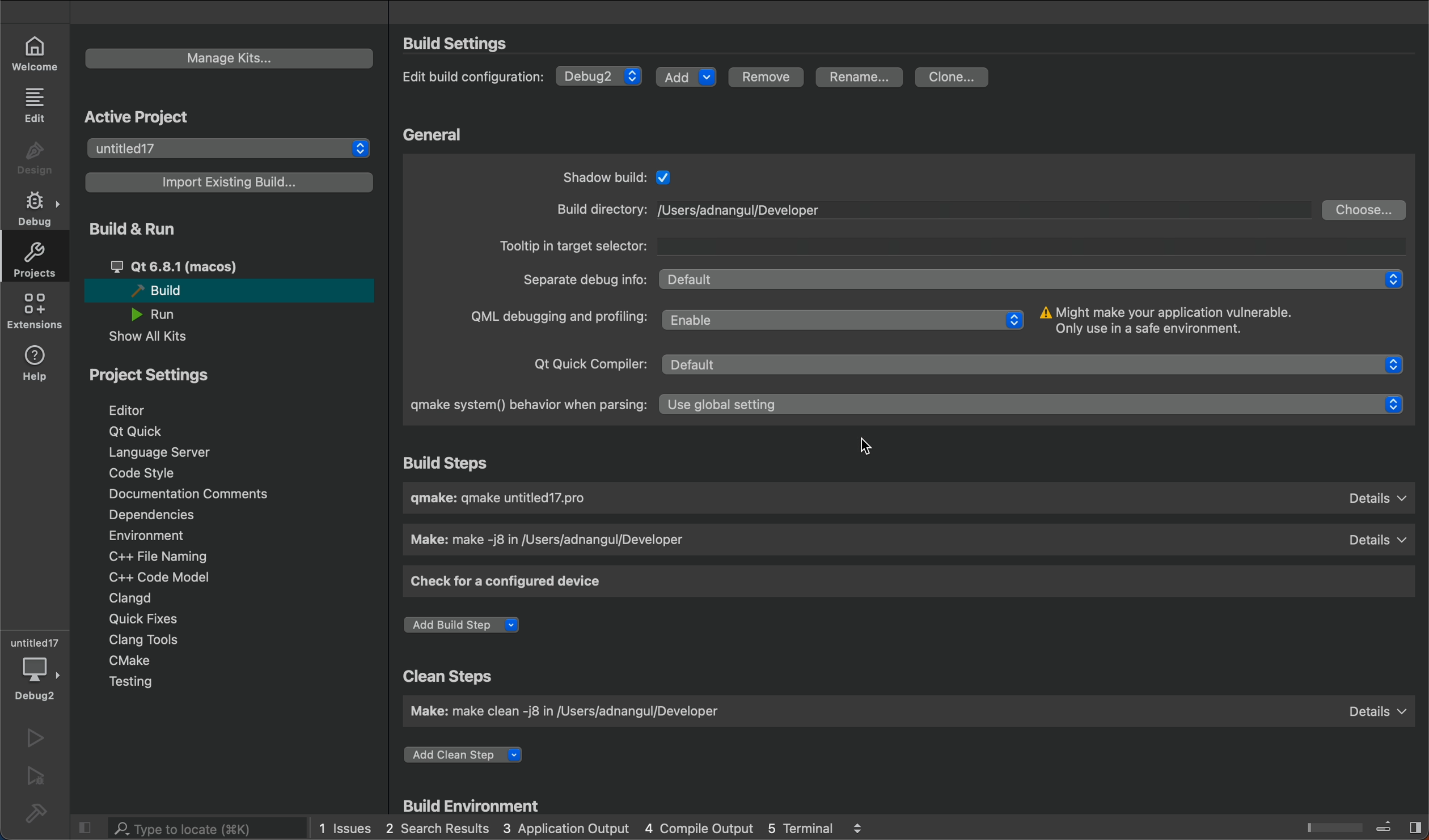  I want to click on qmake system, so click(527, 404).